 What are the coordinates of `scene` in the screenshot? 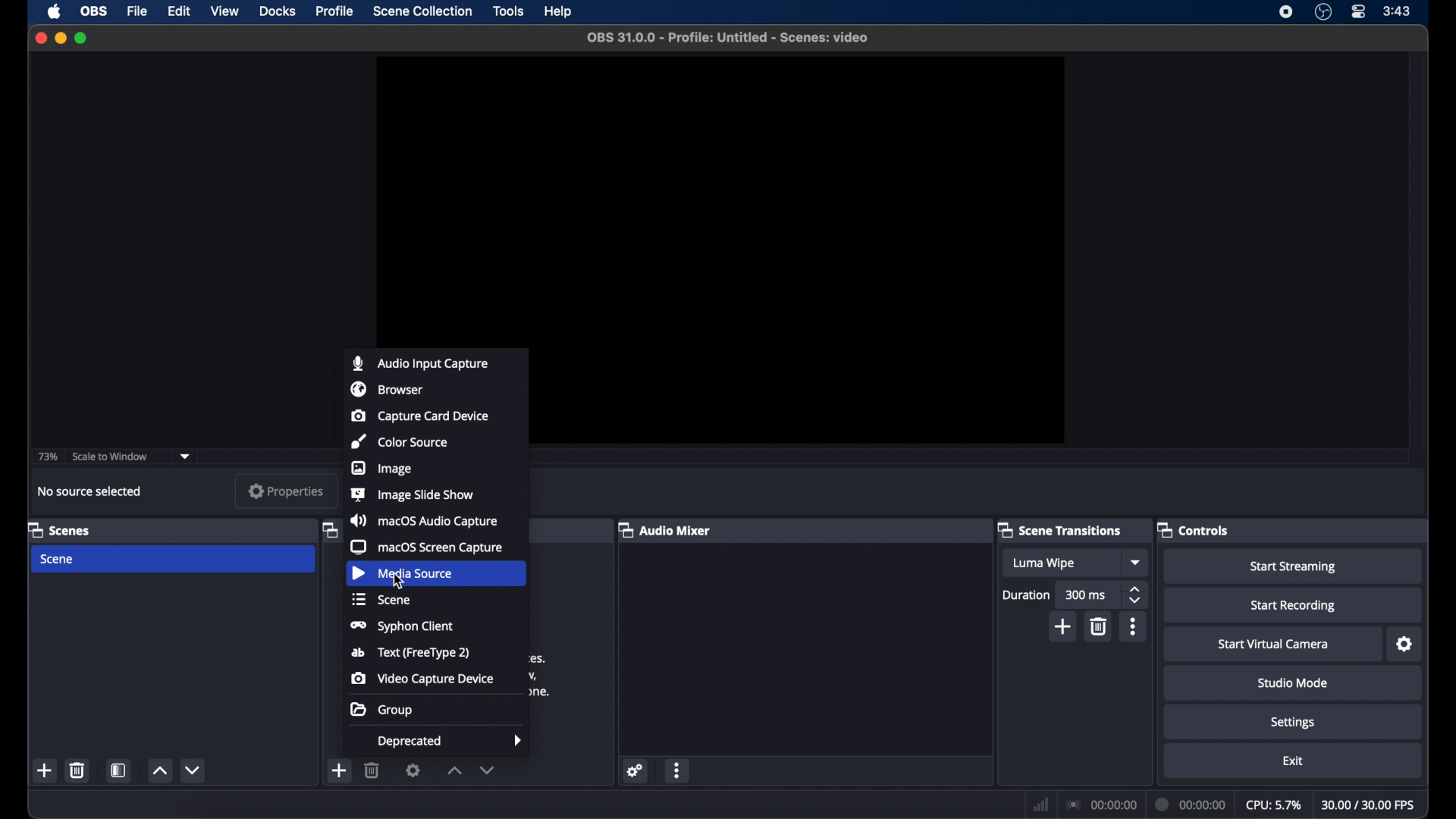 It's located at (381, 600).